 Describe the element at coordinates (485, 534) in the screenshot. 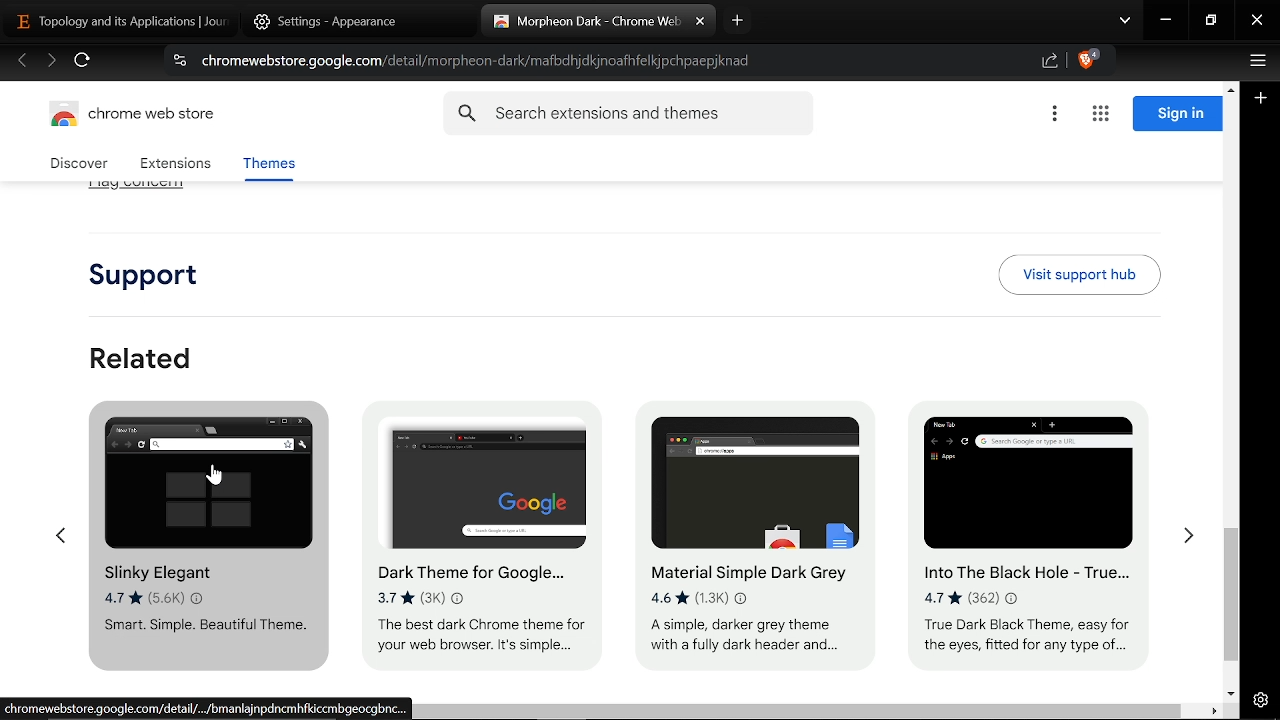

I see `Dark theme for Google` at that location.